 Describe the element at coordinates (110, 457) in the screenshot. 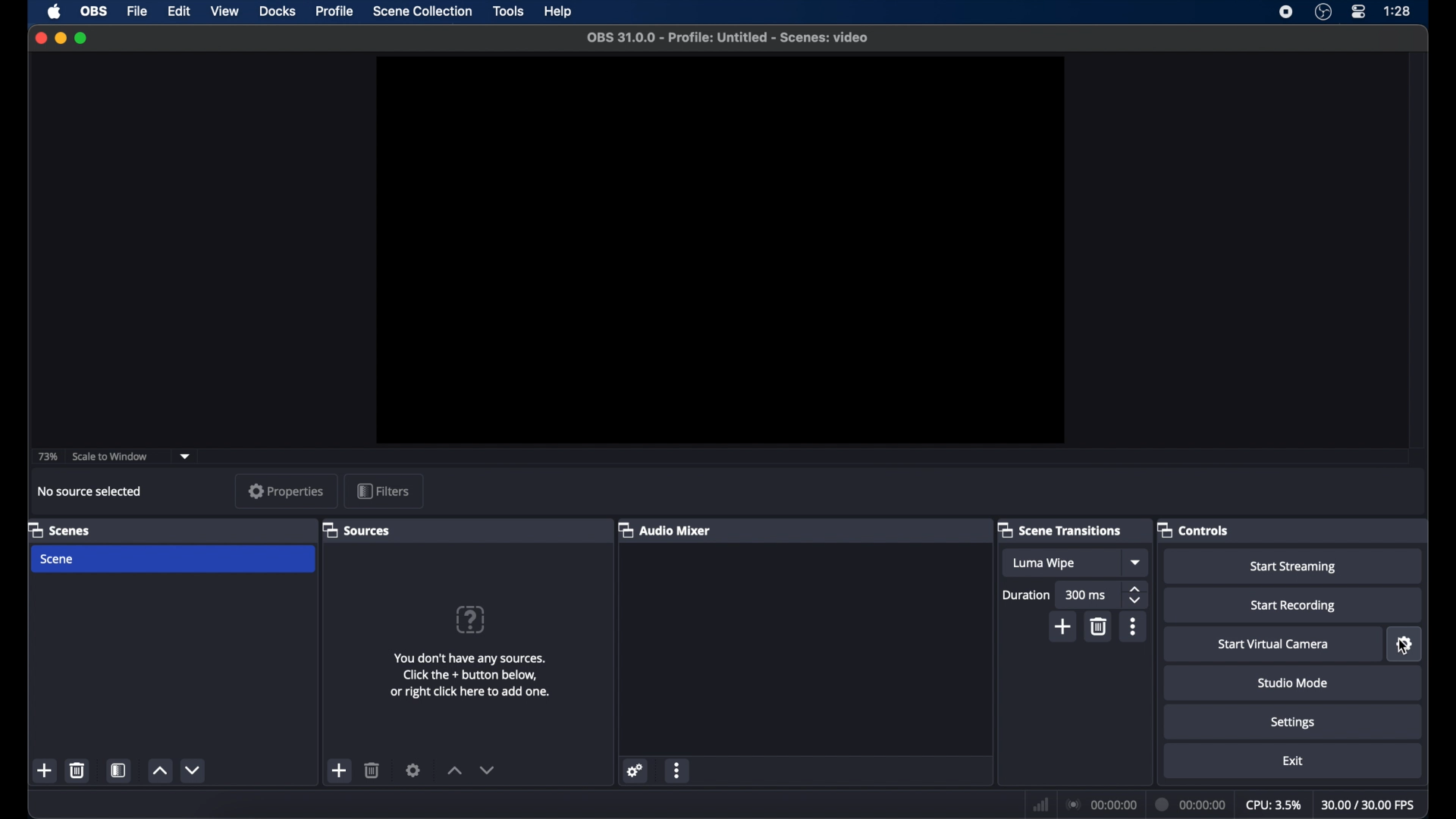

I see `scale to window` at that location.